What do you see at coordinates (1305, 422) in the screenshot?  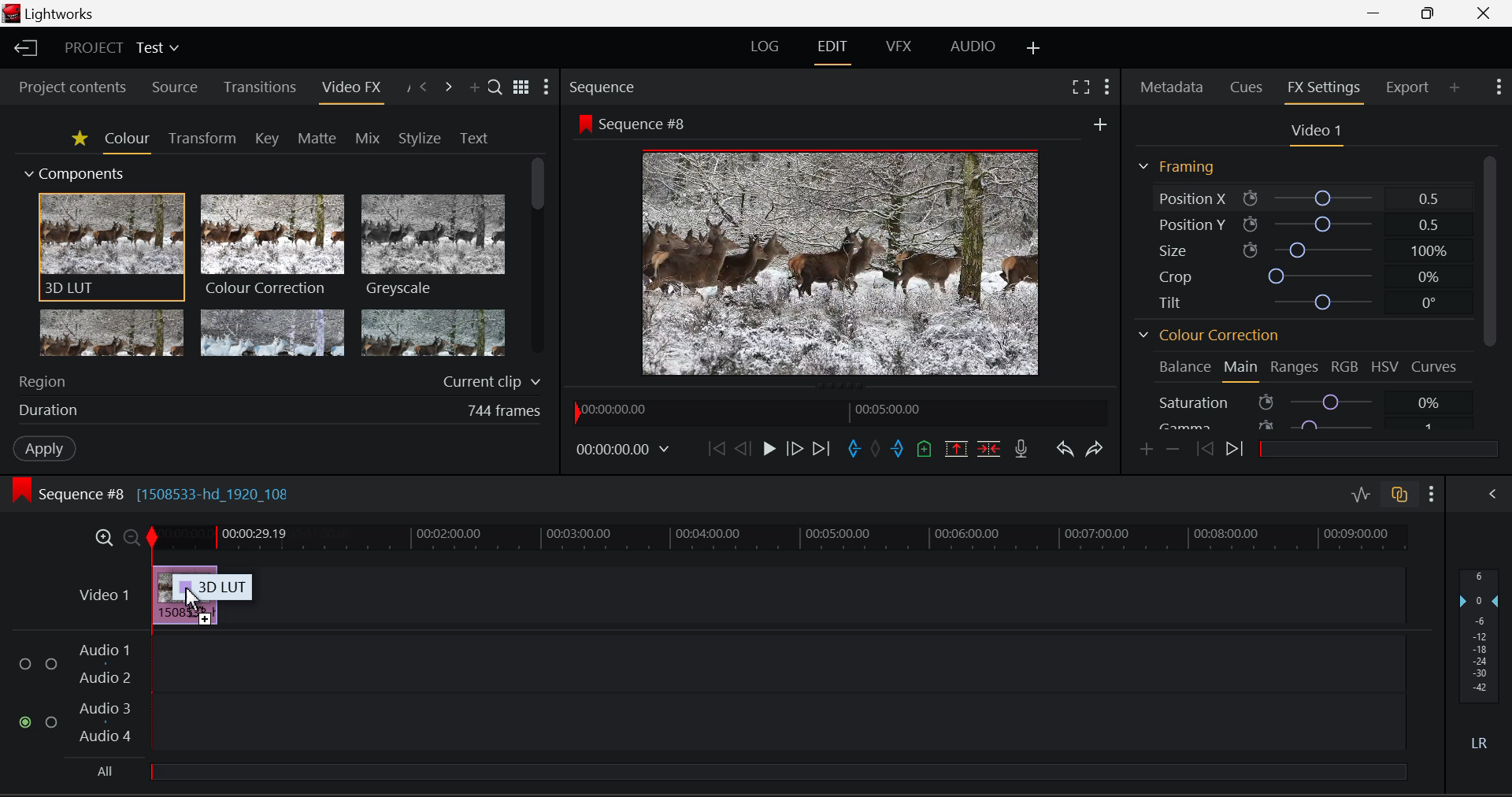 I see `Gamma` at bounding box center [1305, 422].